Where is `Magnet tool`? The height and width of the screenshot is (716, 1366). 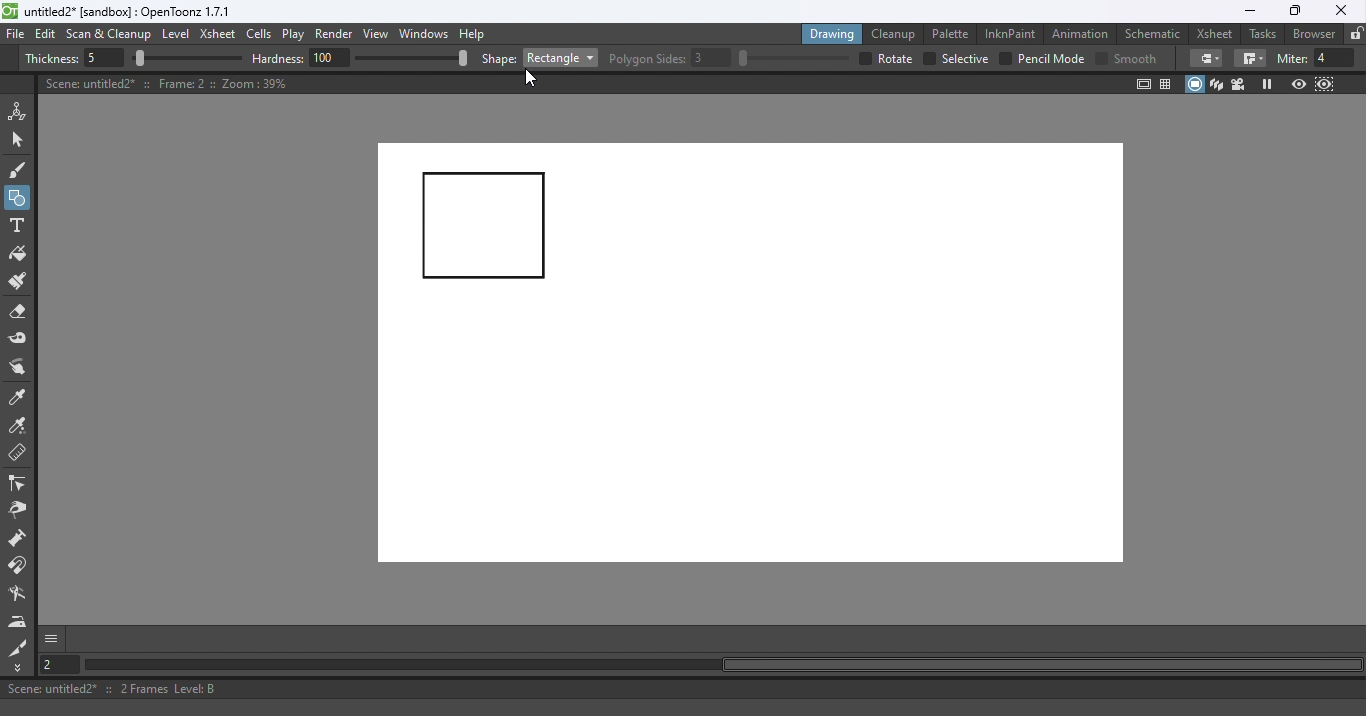
Magnet tool is located at coordinates (19, 566).